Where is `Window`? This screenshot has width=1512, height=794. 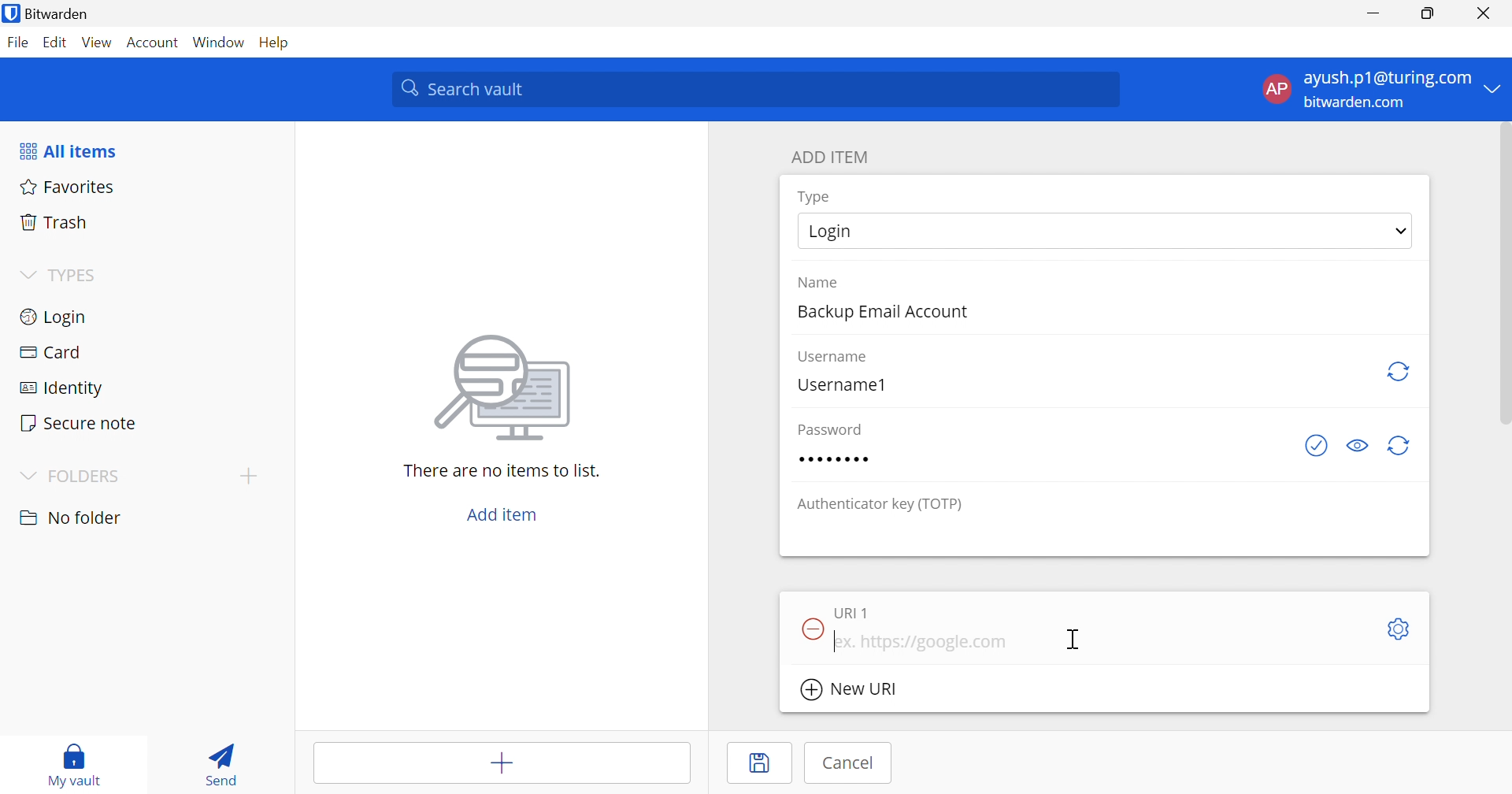 Window is located at coordinates (218, 40).